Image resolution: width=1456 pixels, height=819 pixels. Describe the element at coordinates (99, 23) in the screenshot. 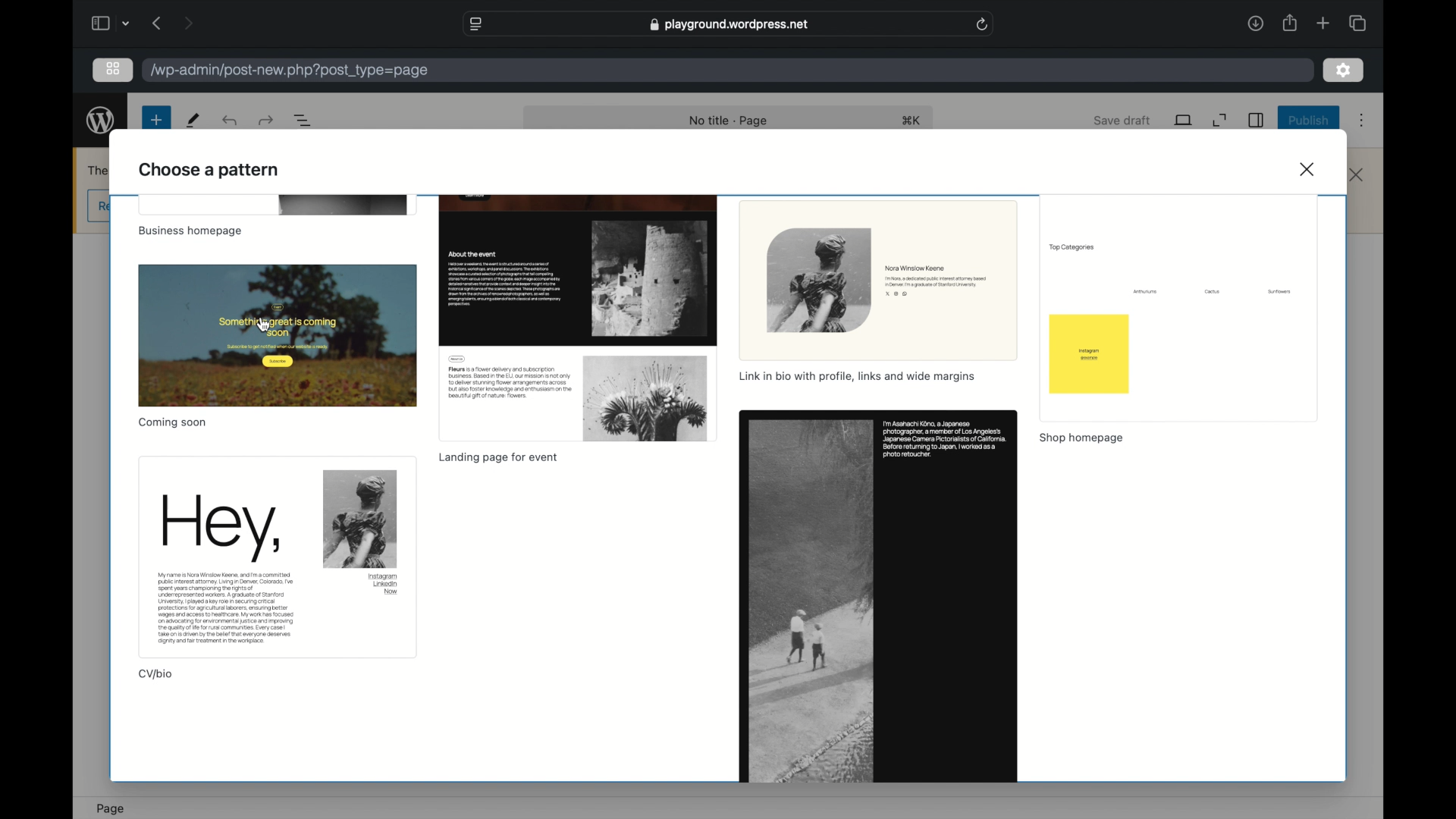

I see `sidebar` at that location.